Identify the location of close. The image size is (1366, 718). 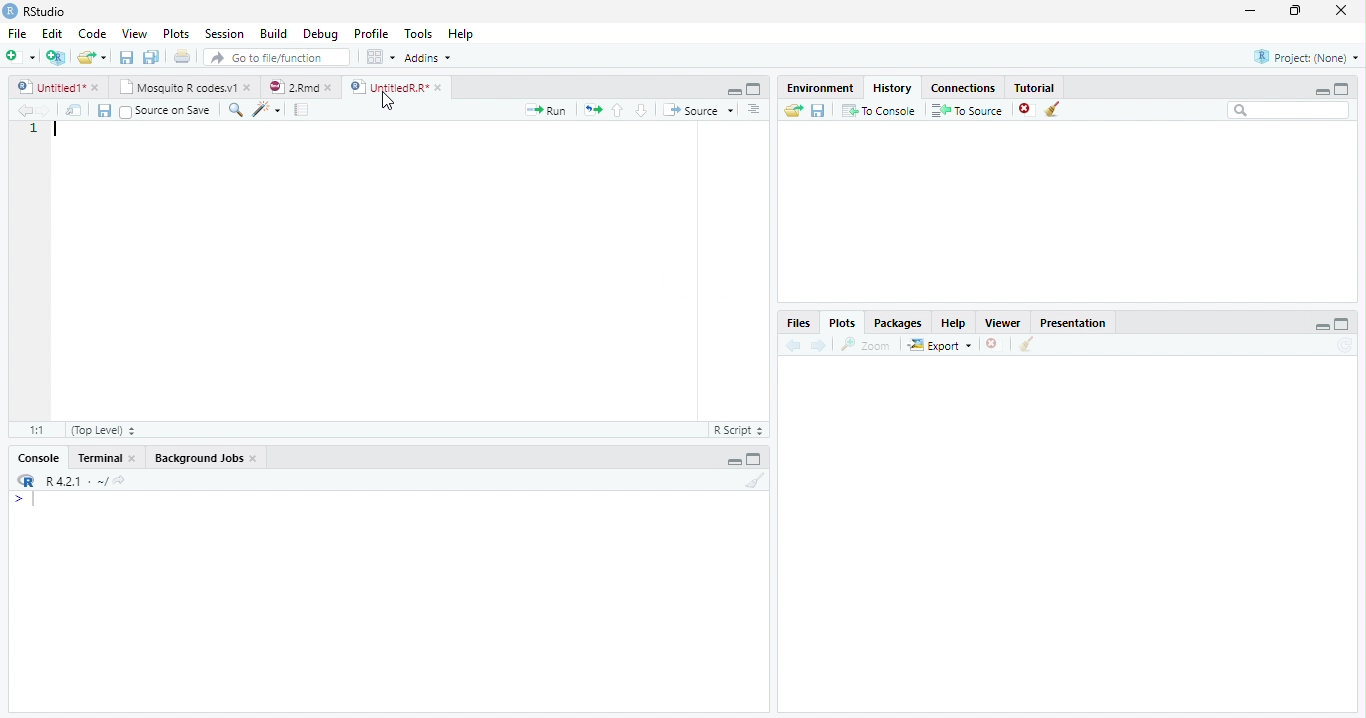
(438, 88).